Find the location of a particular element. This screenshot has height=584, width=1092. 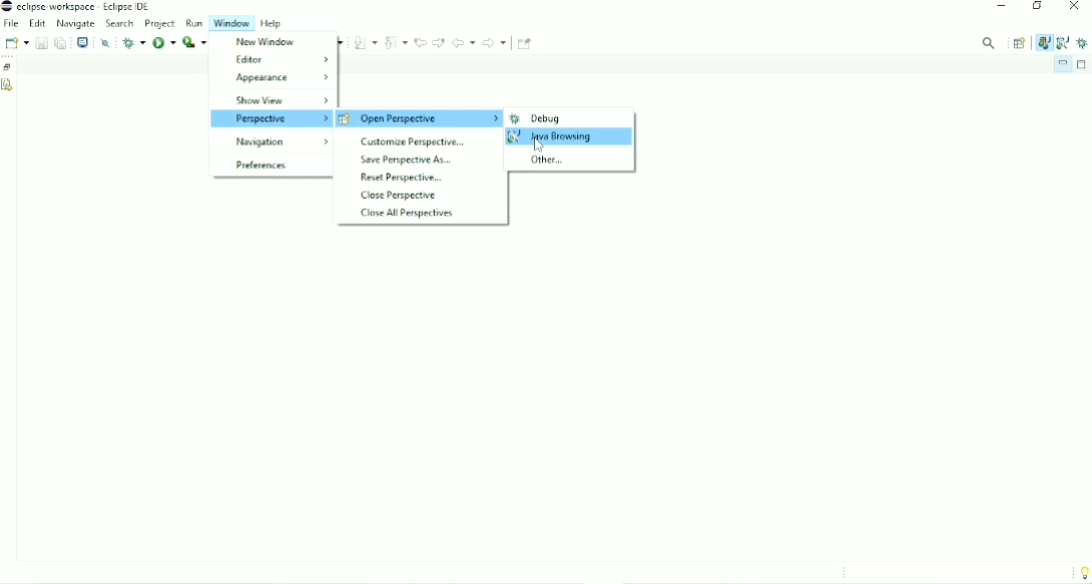

Next Annotation is located at coordinates (366, 42).